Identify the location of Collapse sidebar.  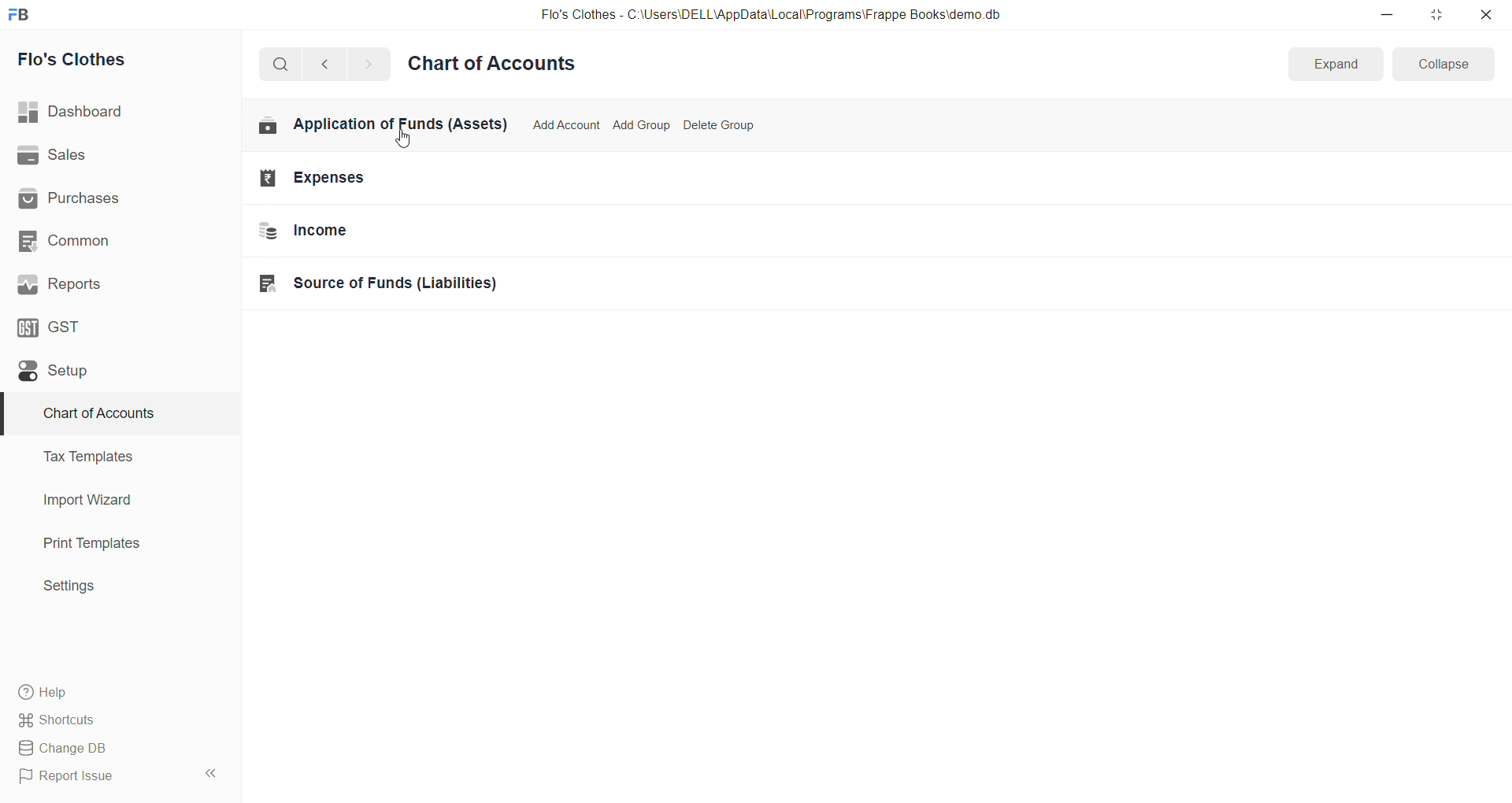
(213, 776).